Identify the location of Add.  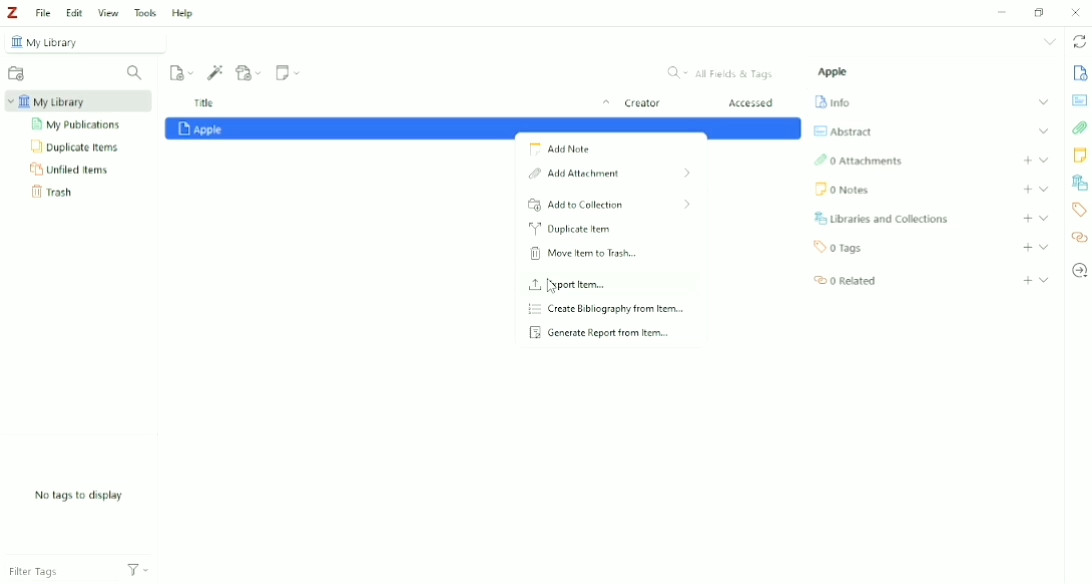
(1028, 218).